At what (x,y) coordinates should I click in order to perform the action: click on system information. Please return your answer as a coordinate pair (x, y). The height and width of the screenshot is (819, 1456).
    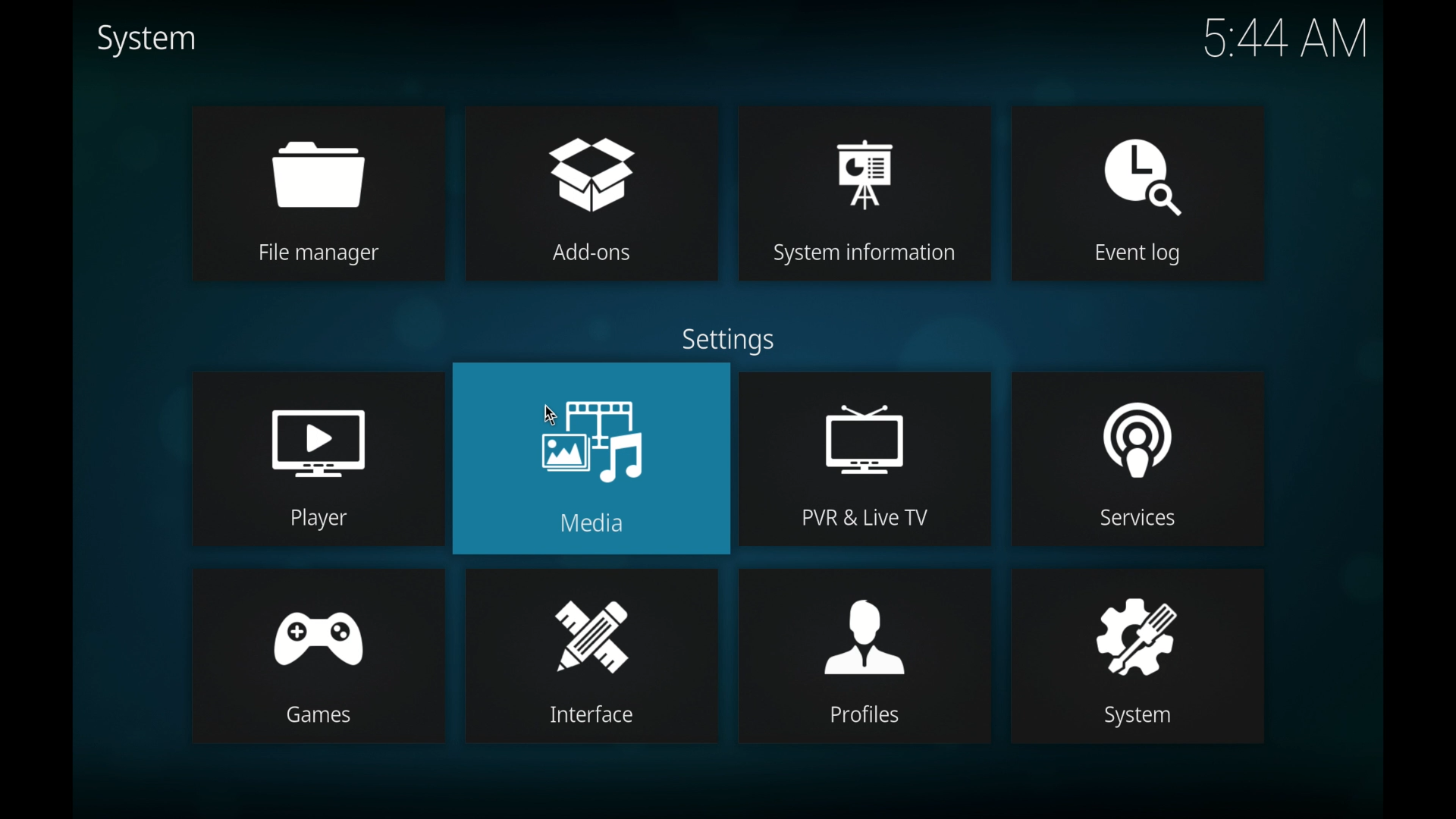
    Looking at the image, I should click on (866, 193).